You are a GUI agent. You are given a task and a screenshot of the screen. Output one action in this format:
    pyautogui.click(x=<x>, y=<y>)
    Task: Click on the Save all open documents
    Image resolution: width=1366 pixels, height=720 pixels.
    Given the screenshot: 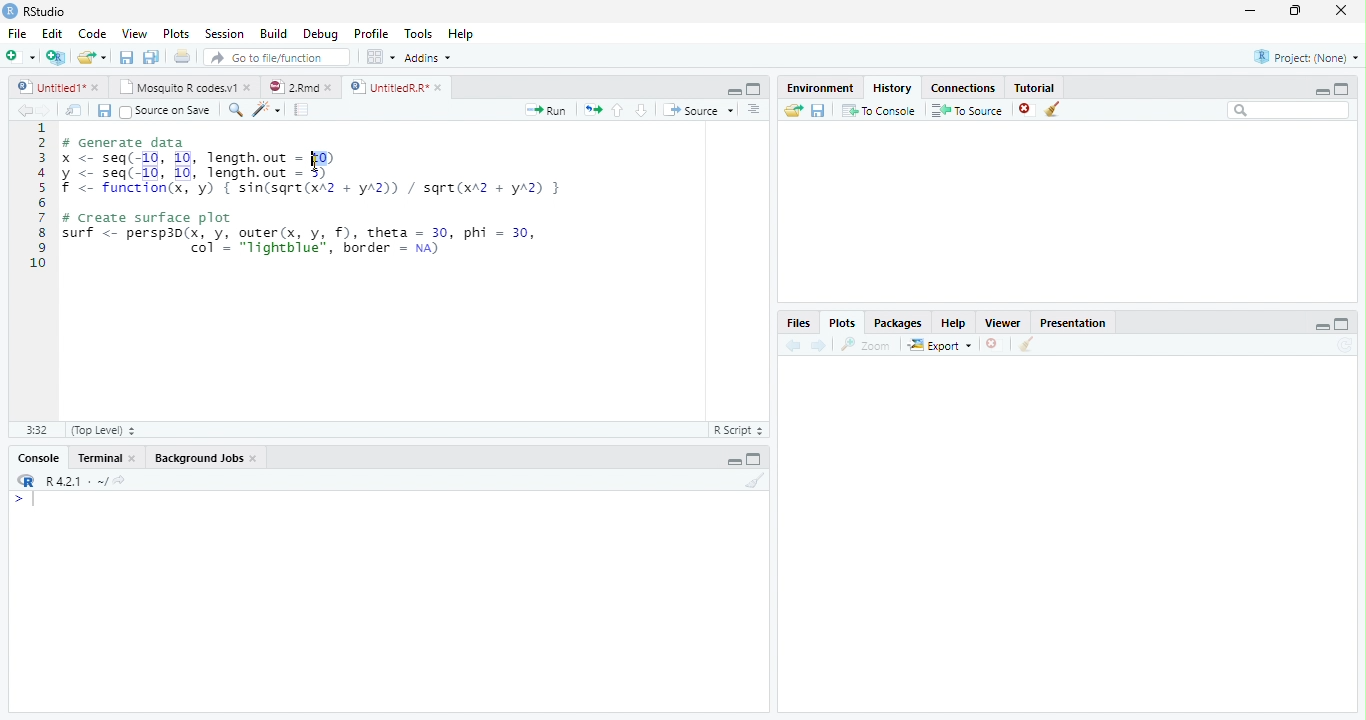 What is the action you would take?
    pyautogui.click(x=150, y=56)
    